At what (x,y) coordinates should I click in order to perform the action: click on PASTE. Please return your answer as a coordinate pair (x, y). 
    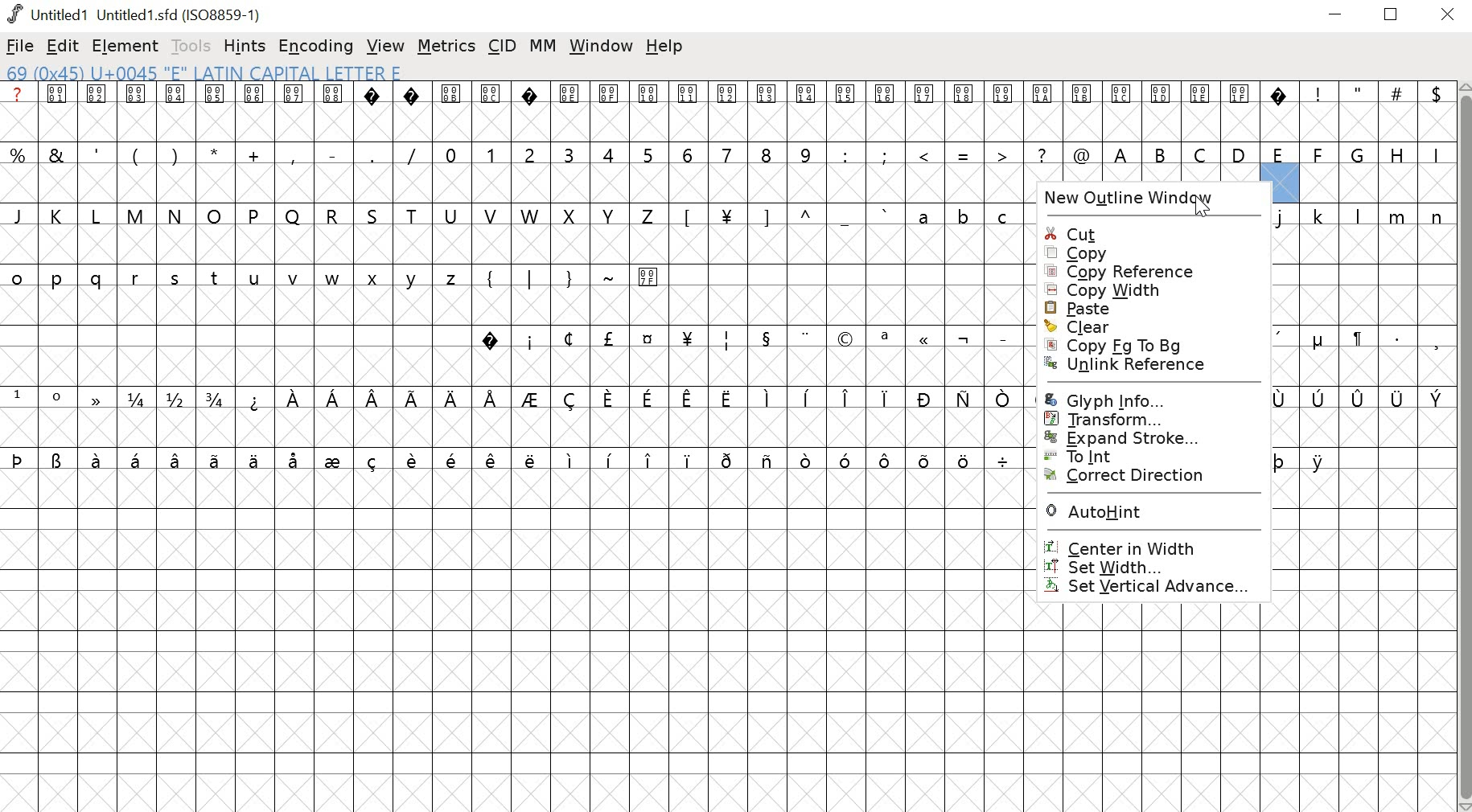
    Looking at the image, I should click on (1145, 310).